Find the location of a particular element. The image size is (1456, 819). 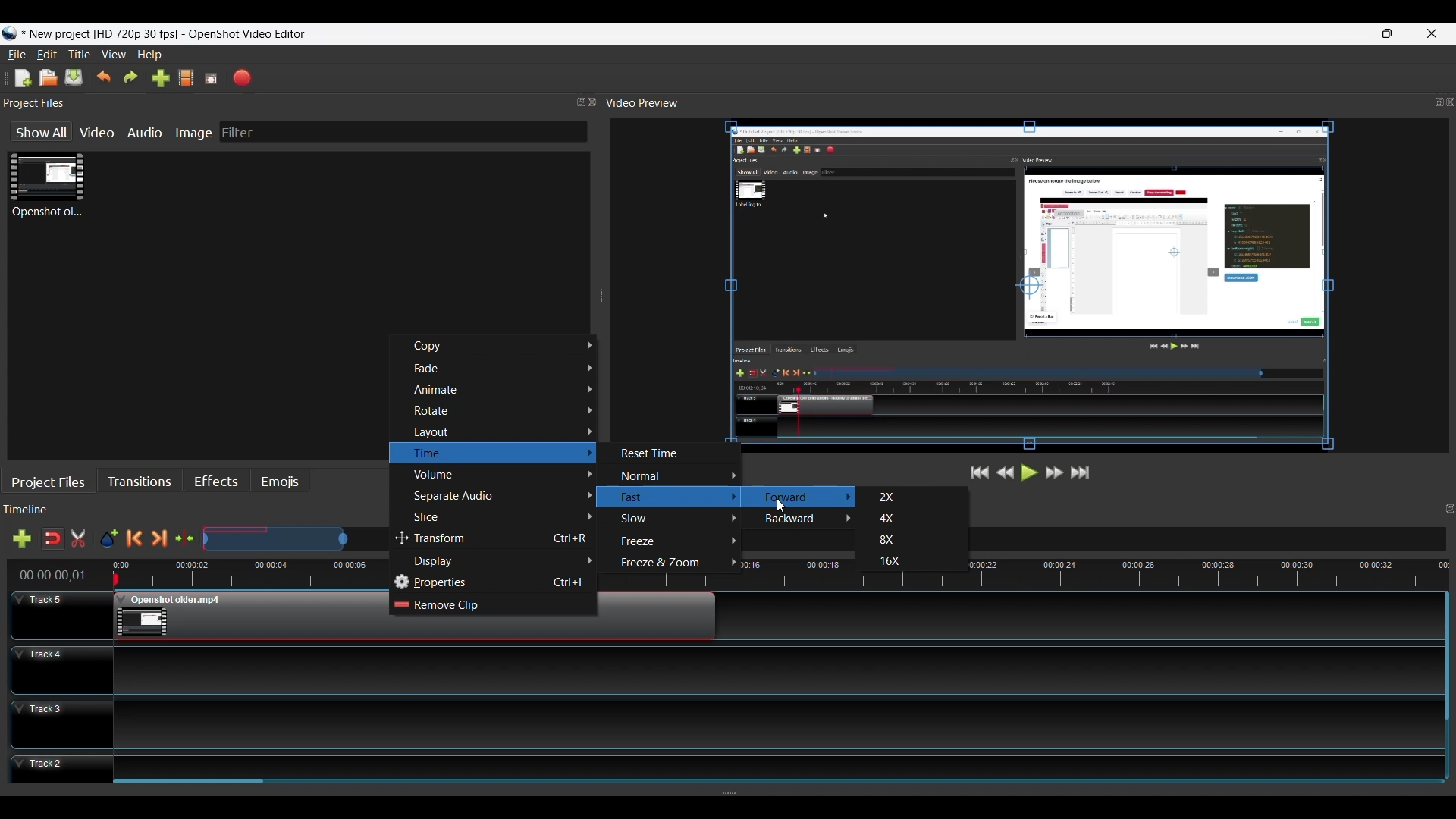

Track Header is located at coordinates (57, 613).